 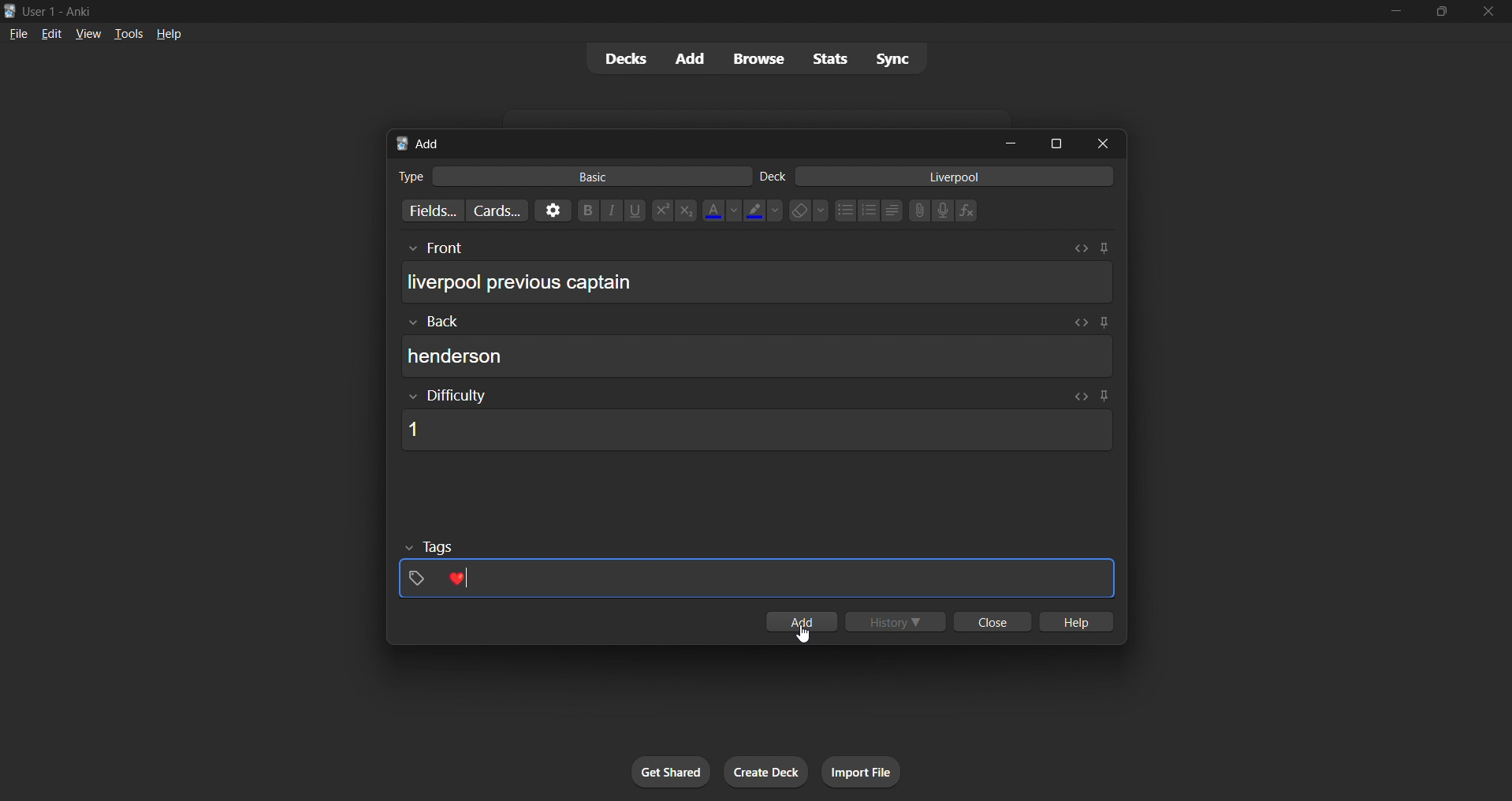 I want to click on add, so click(x=687, y=58).